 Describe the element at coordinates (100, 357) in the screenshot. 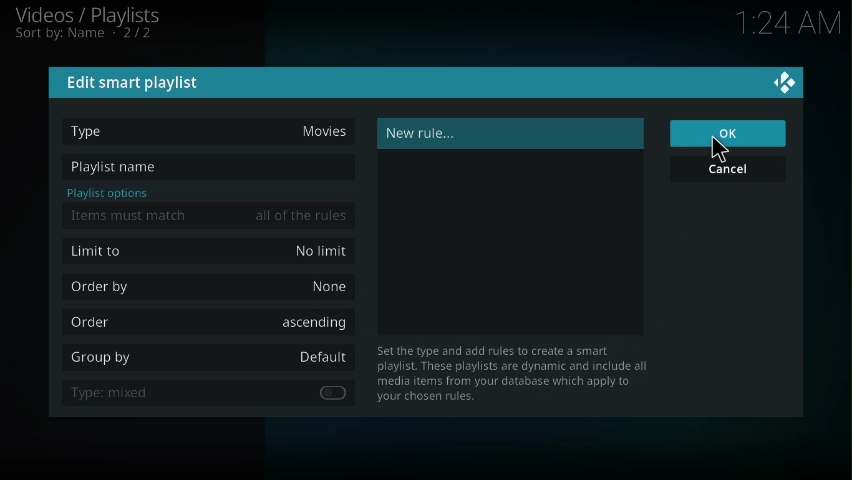

I see `group by` at that location.